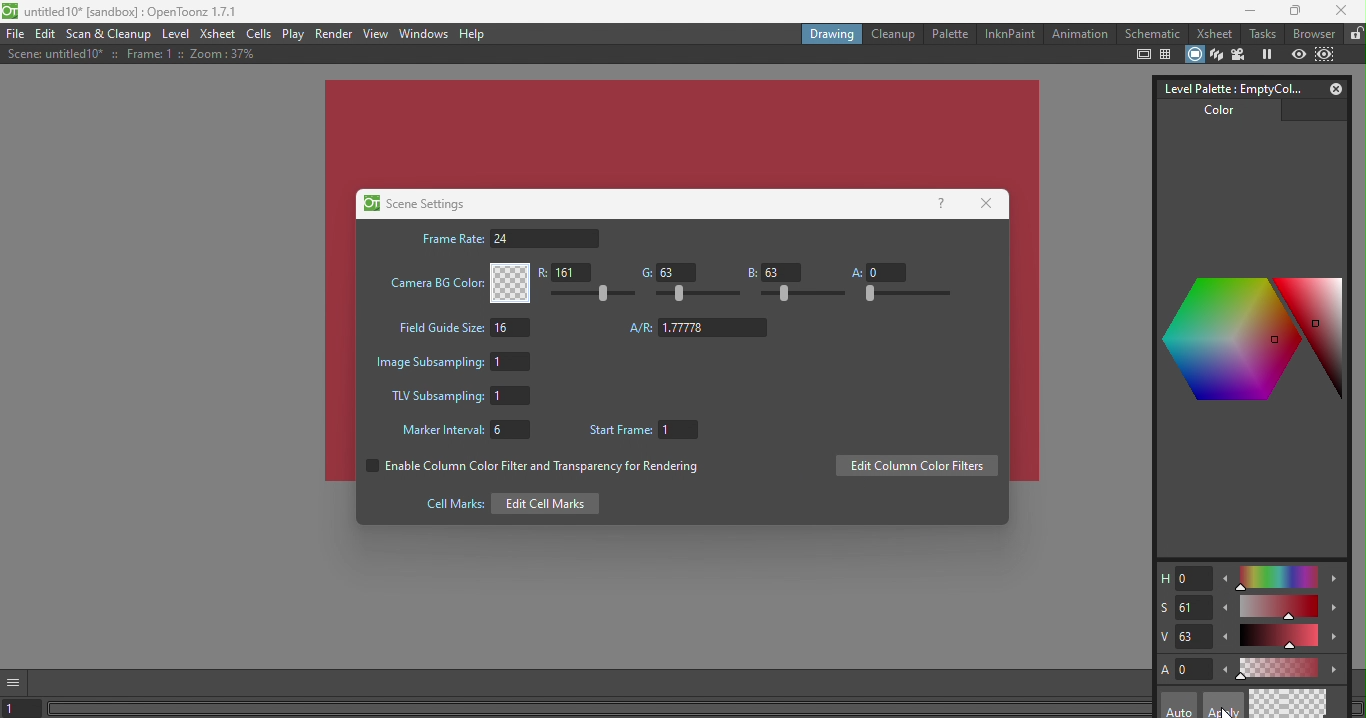  Describe the element at coordinates (1292, 12) in the screenshot. I see `Maximize` at that location.